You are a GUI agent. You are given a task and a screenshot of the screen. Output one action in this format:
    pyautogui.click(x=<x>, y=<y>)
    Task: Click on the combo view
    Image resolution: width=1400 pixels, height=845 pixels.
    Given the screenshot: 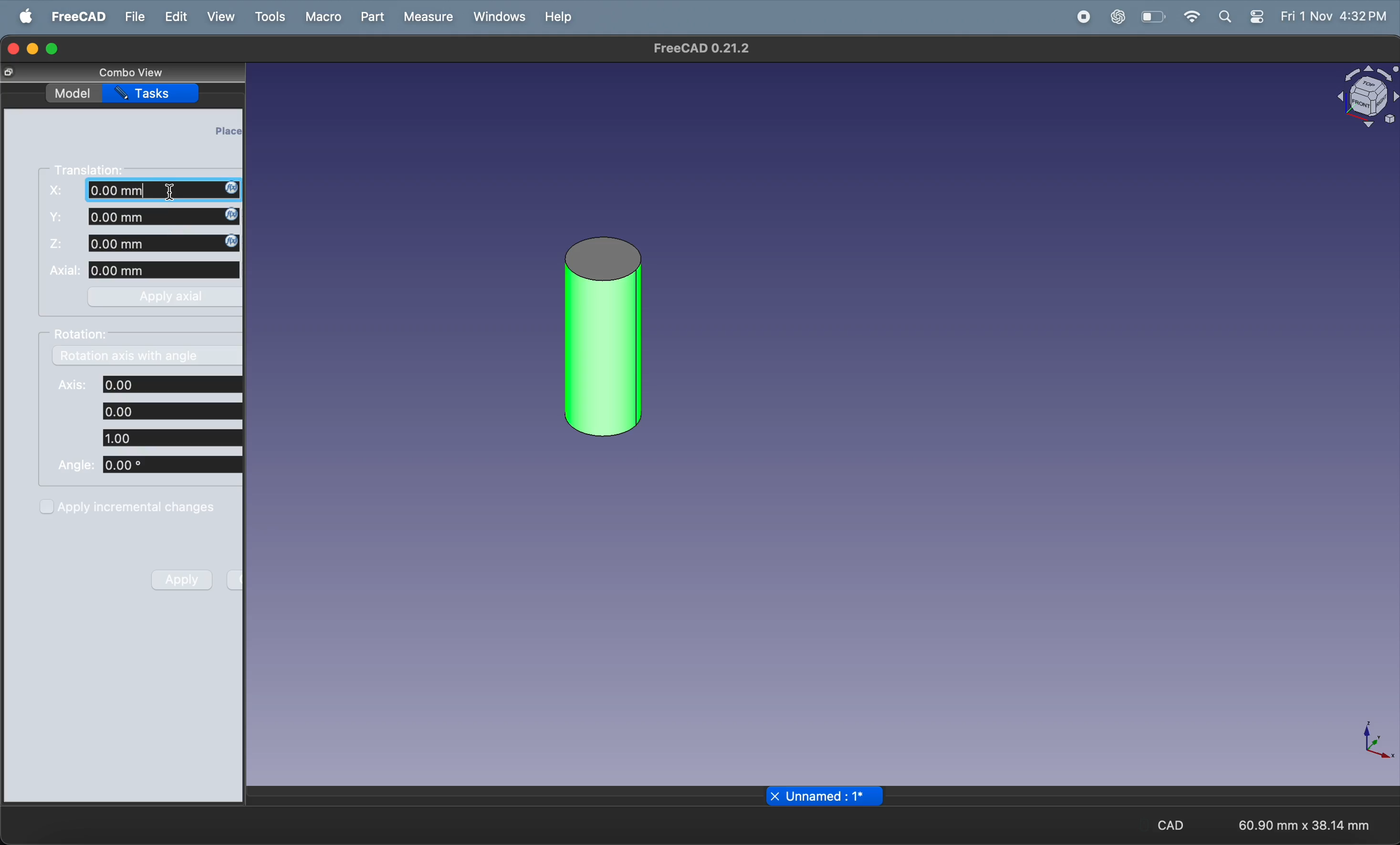 What is the action you would take?
    pyautogui.click(x=132, y=74)
    